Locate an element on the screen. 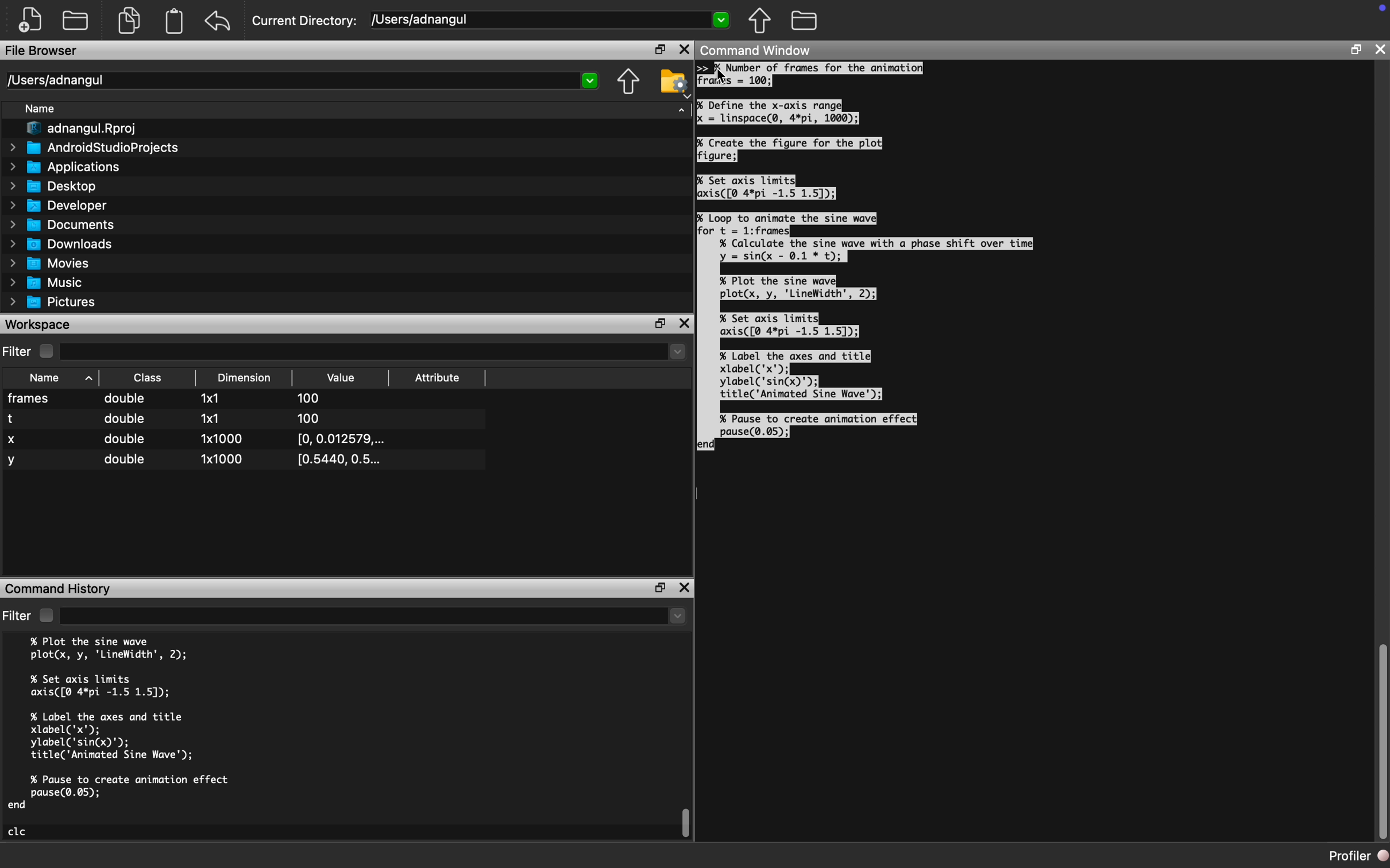 This screenshot has width=1390, height=868. Command Window is located at coordinates (758, 49).